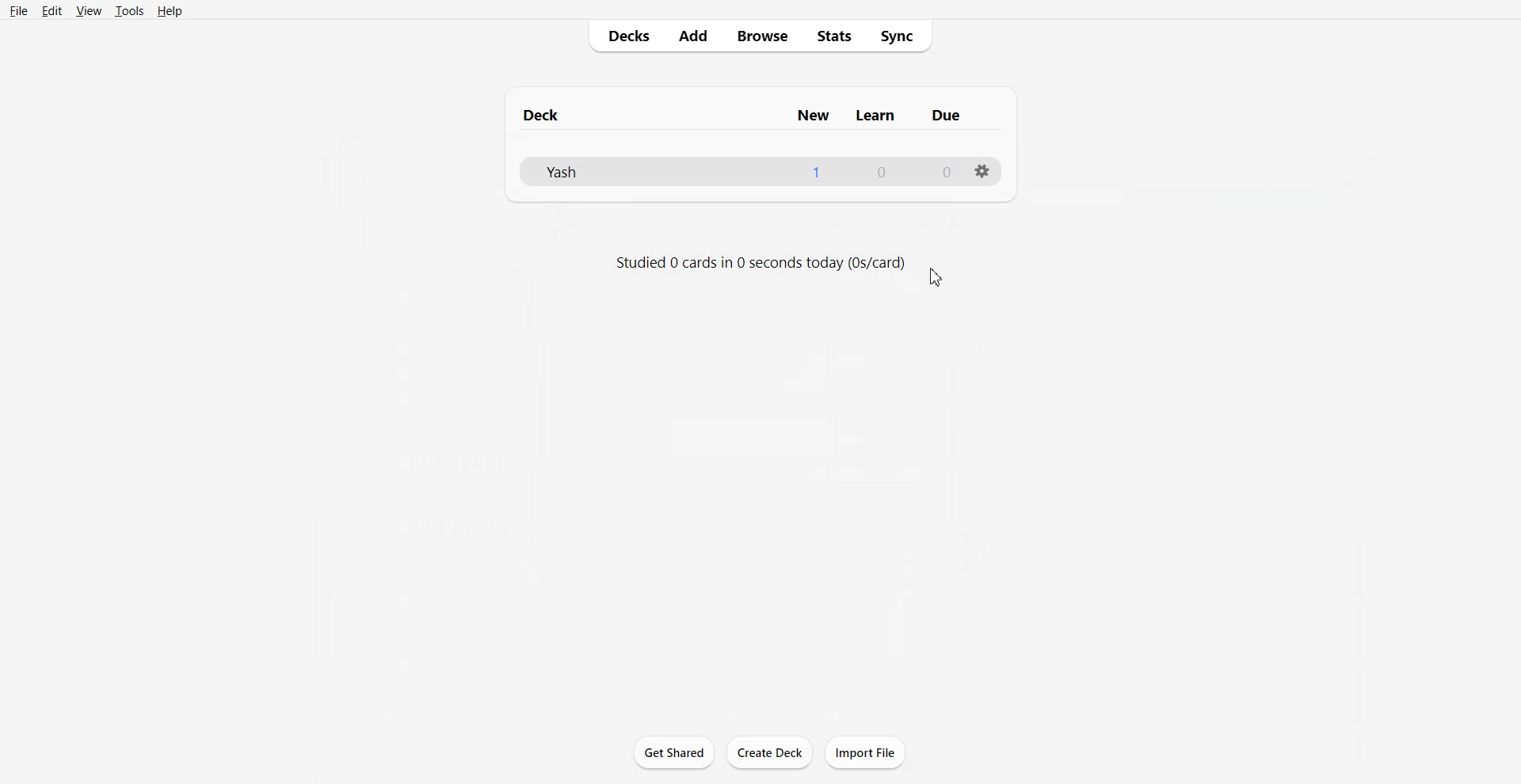 Image resolution: width=1521 pixels, height=784 pixels. Describe the element at coordinates (692, 37) in the screenshot. I see `Add` at that location.